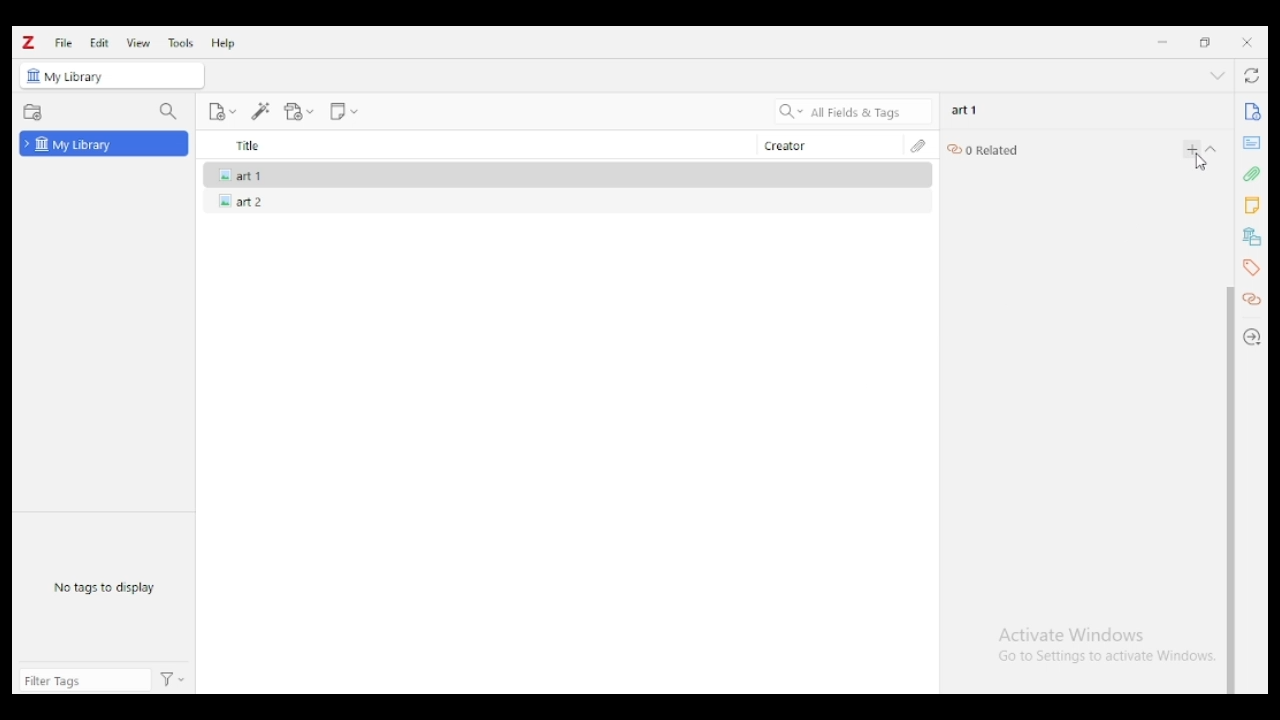  I want to click on libraries and collections, so click(1250, 237).